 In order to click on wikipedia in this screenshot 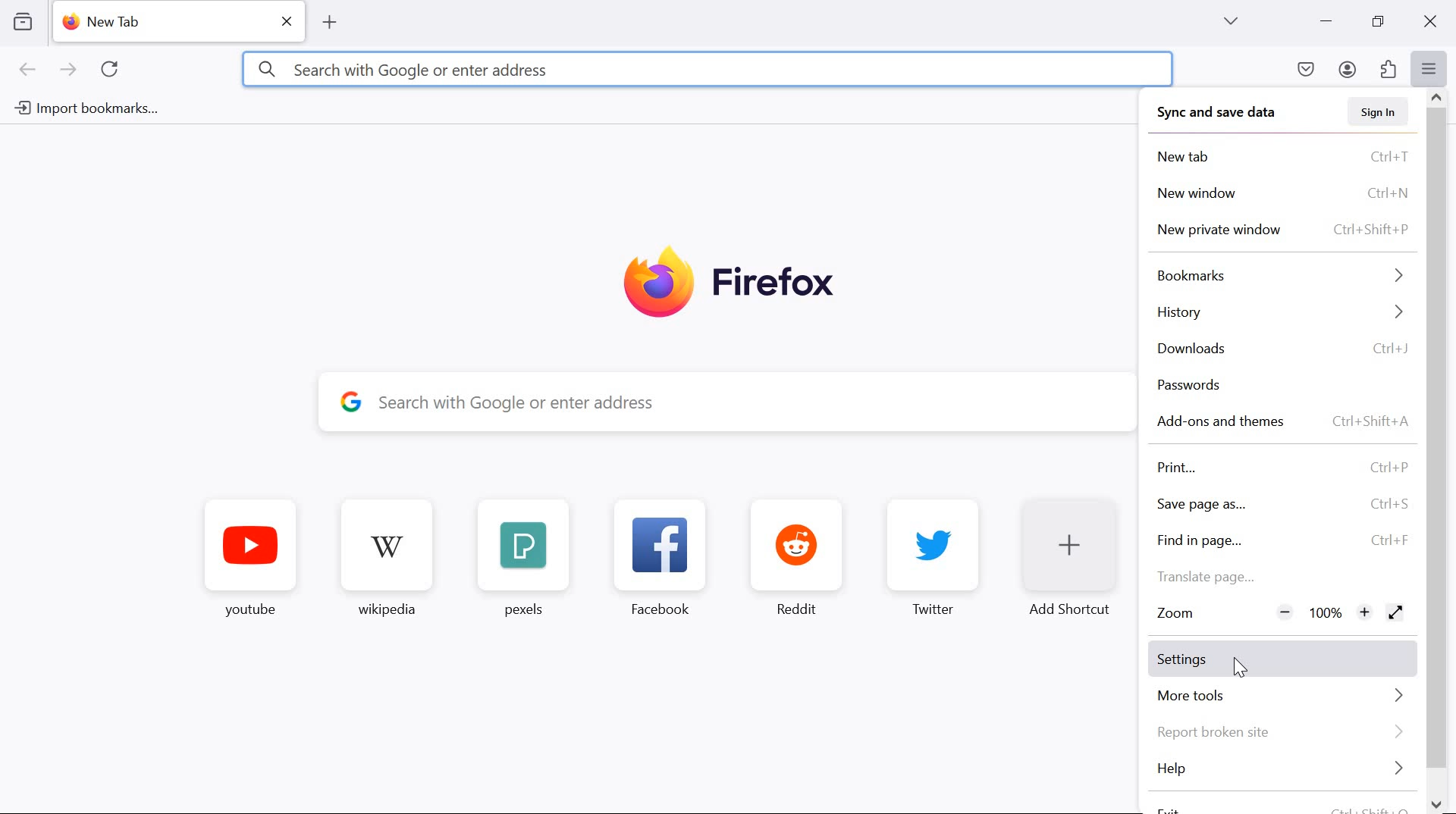, I will do `click(388, 553)`.